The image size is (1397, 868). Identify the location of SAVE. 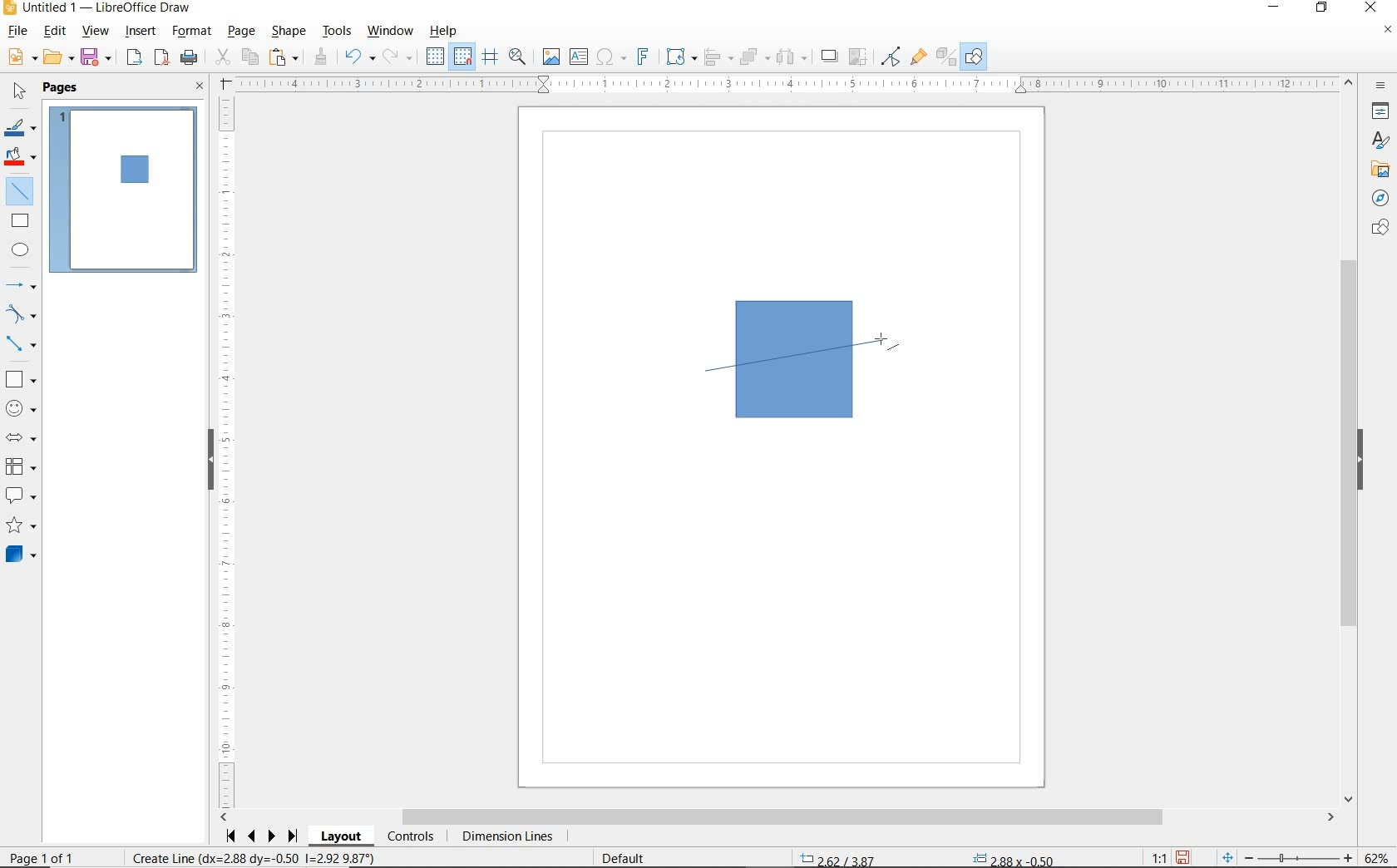
(1182, 857).